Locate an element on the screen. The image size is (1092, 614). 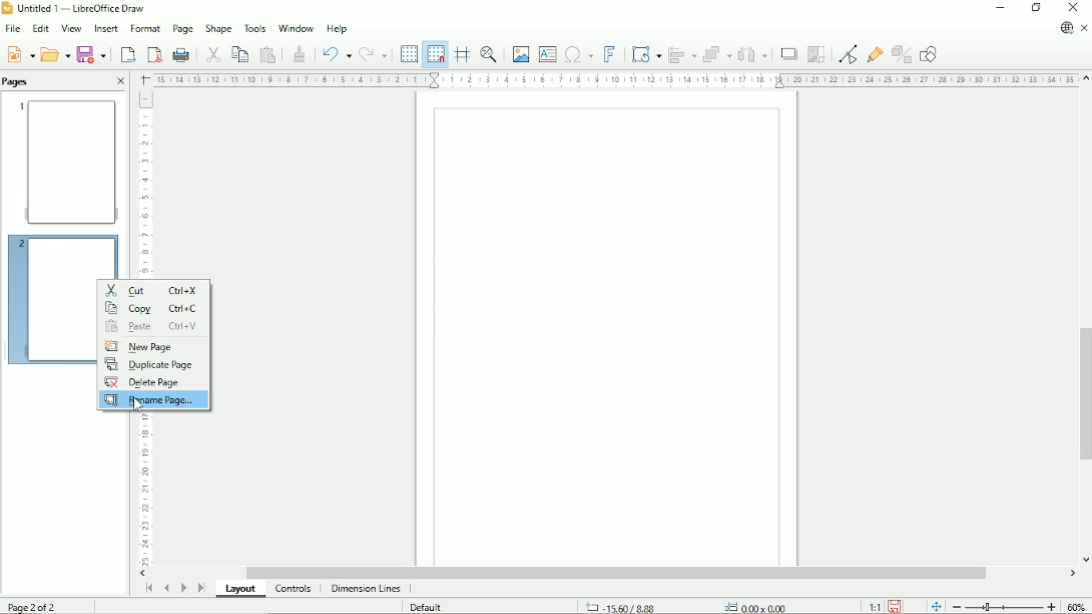
Open is located at coordinates (55, 53).